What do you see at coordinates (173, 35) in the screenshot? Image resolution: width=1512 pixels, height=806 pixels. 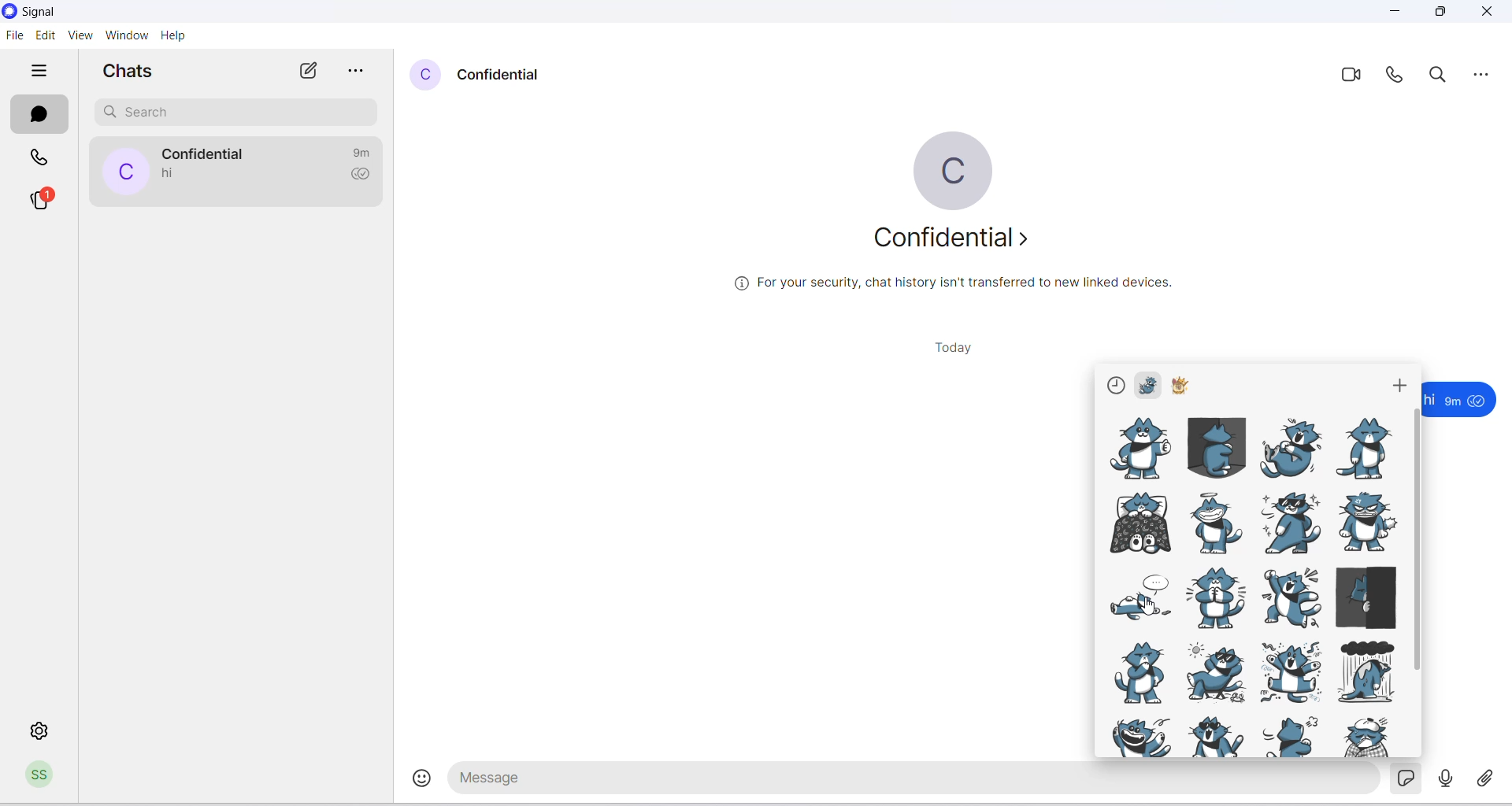 I see `help` at bounding box center [173, 35].